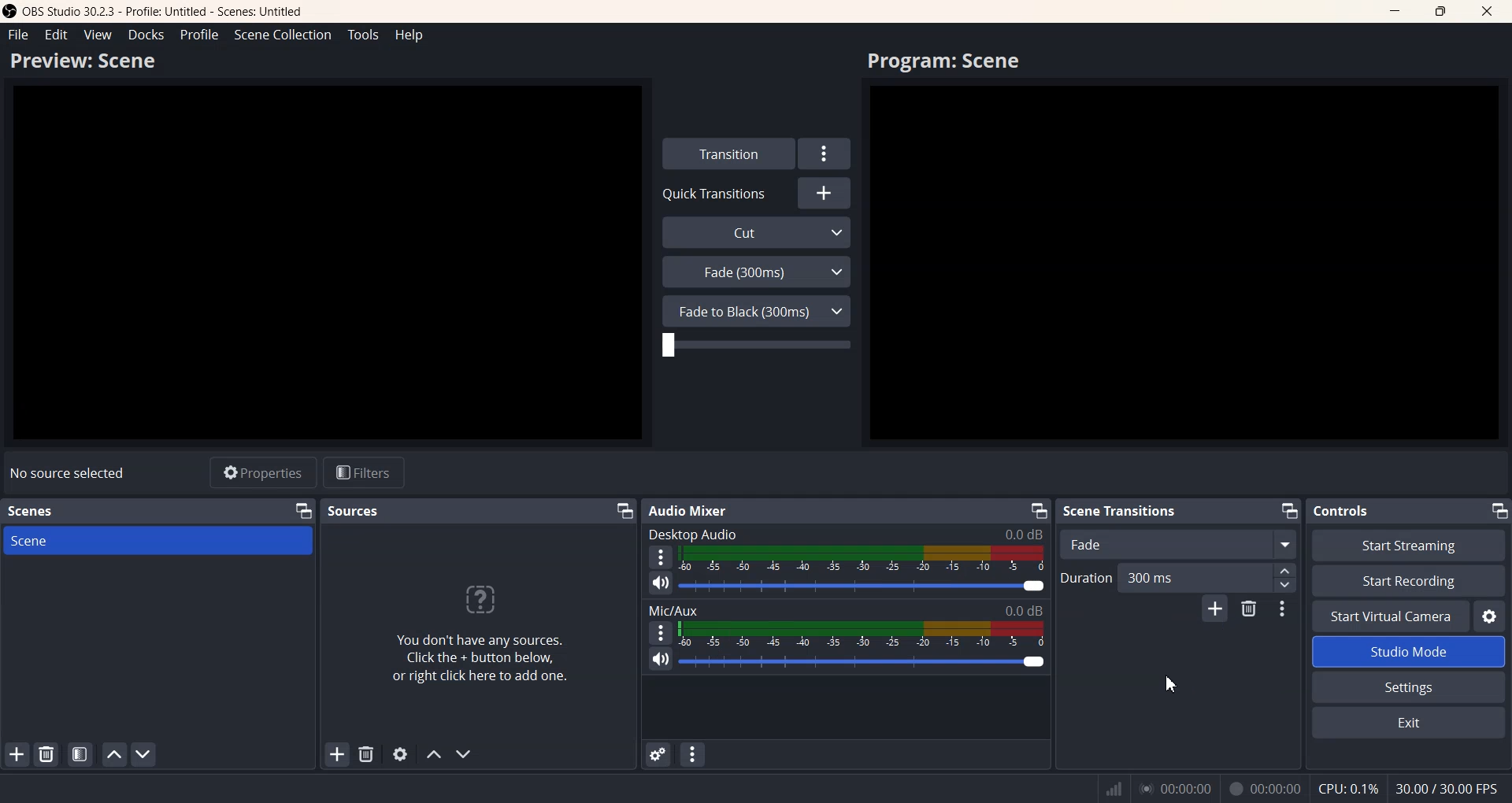  What do you see at coordinates (1249, 609) in the screenshot?
I see `Remove configurable transition` at bounding box center [1249, 609].